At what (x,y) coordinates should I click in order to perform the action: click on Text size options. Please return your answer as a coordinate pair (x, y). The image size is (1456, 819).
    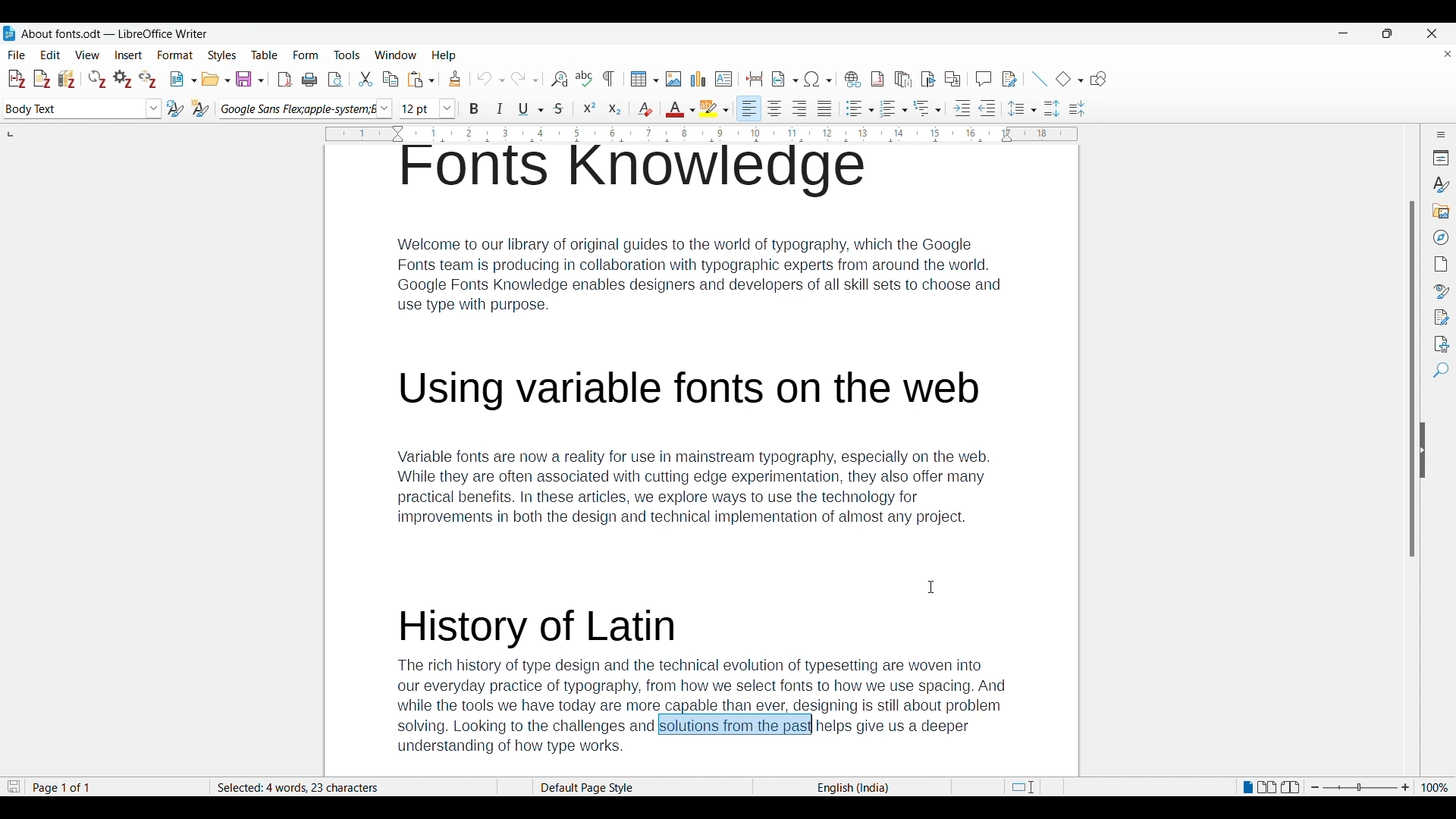
    Looking at the image, I should click on (447, 109).